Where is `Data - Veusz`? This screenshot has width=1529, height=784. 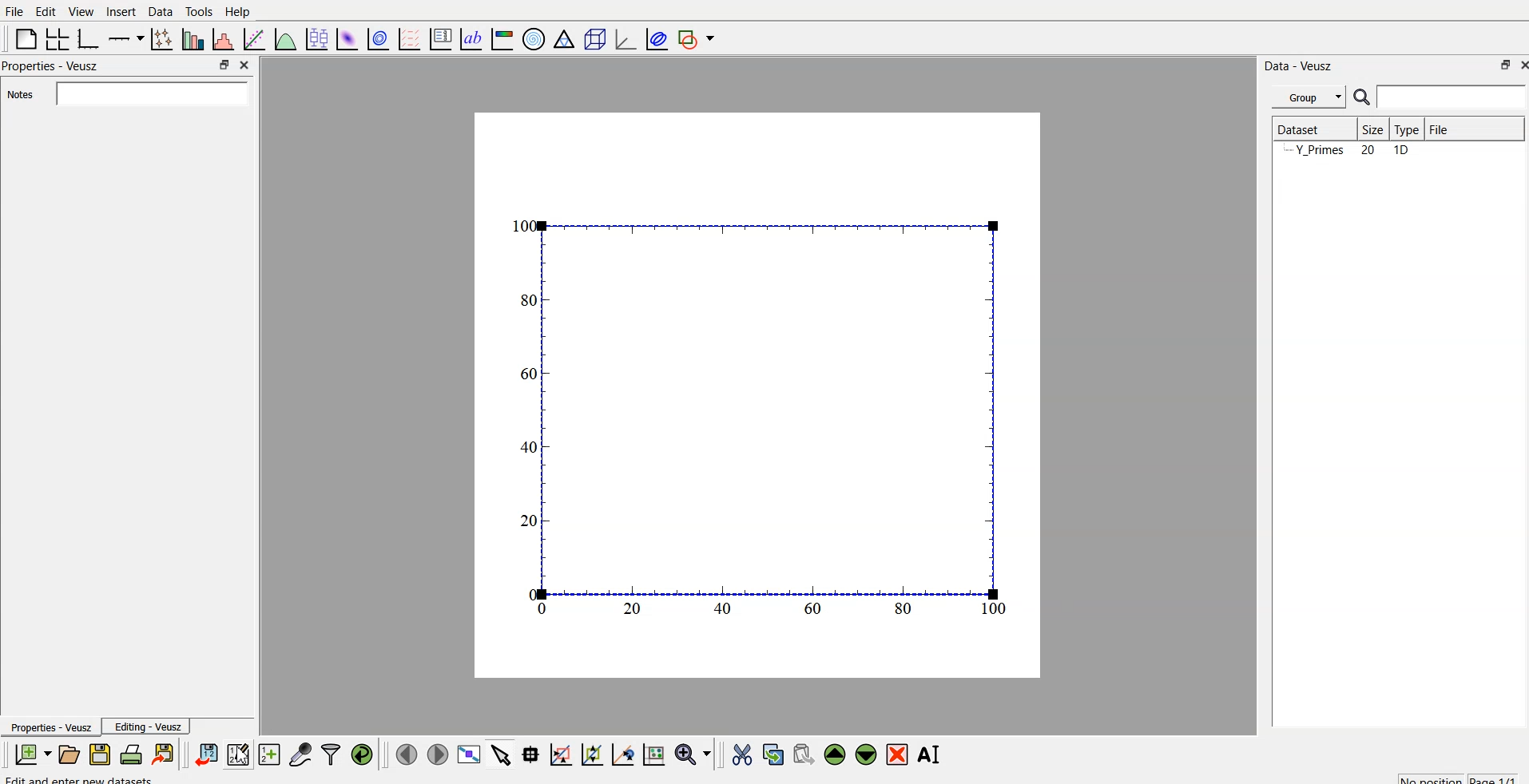
Data - Veusz is located at coordinates (1301, 63).